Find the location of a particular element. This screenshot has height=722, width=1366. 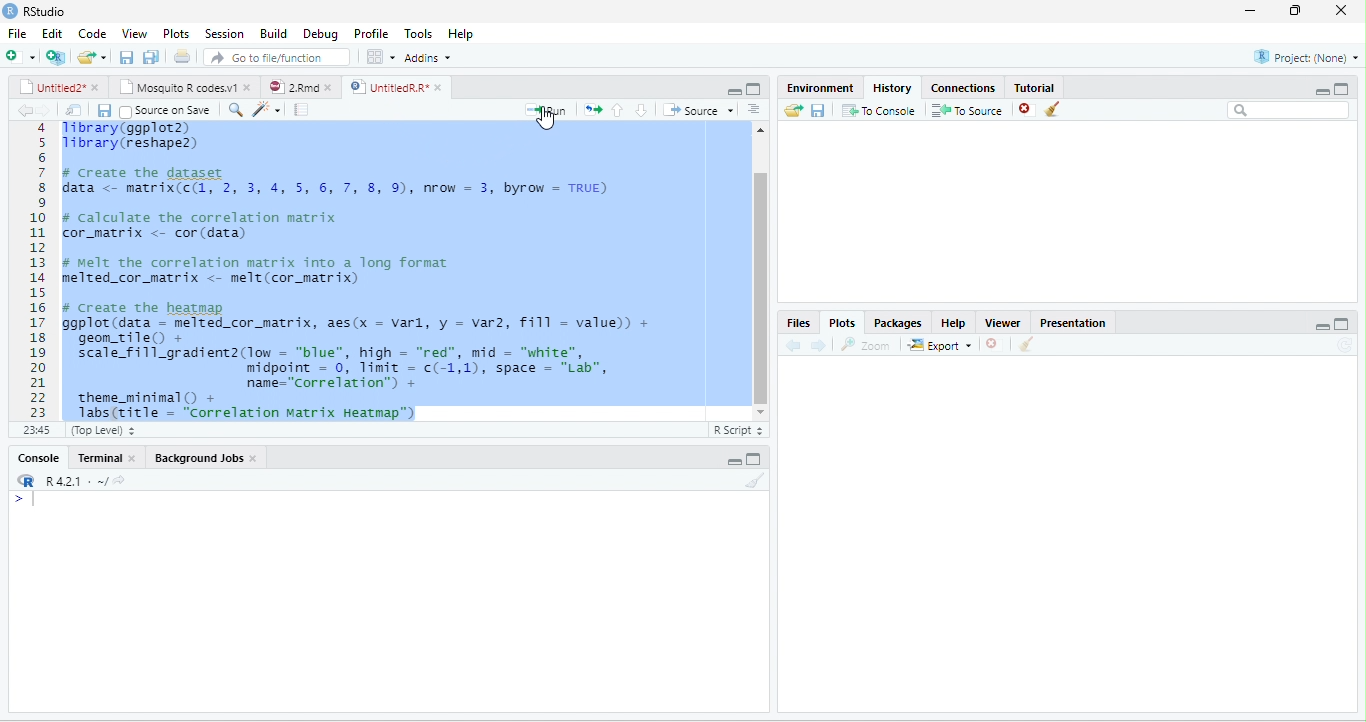

debug is located at coordinates (321, 35).